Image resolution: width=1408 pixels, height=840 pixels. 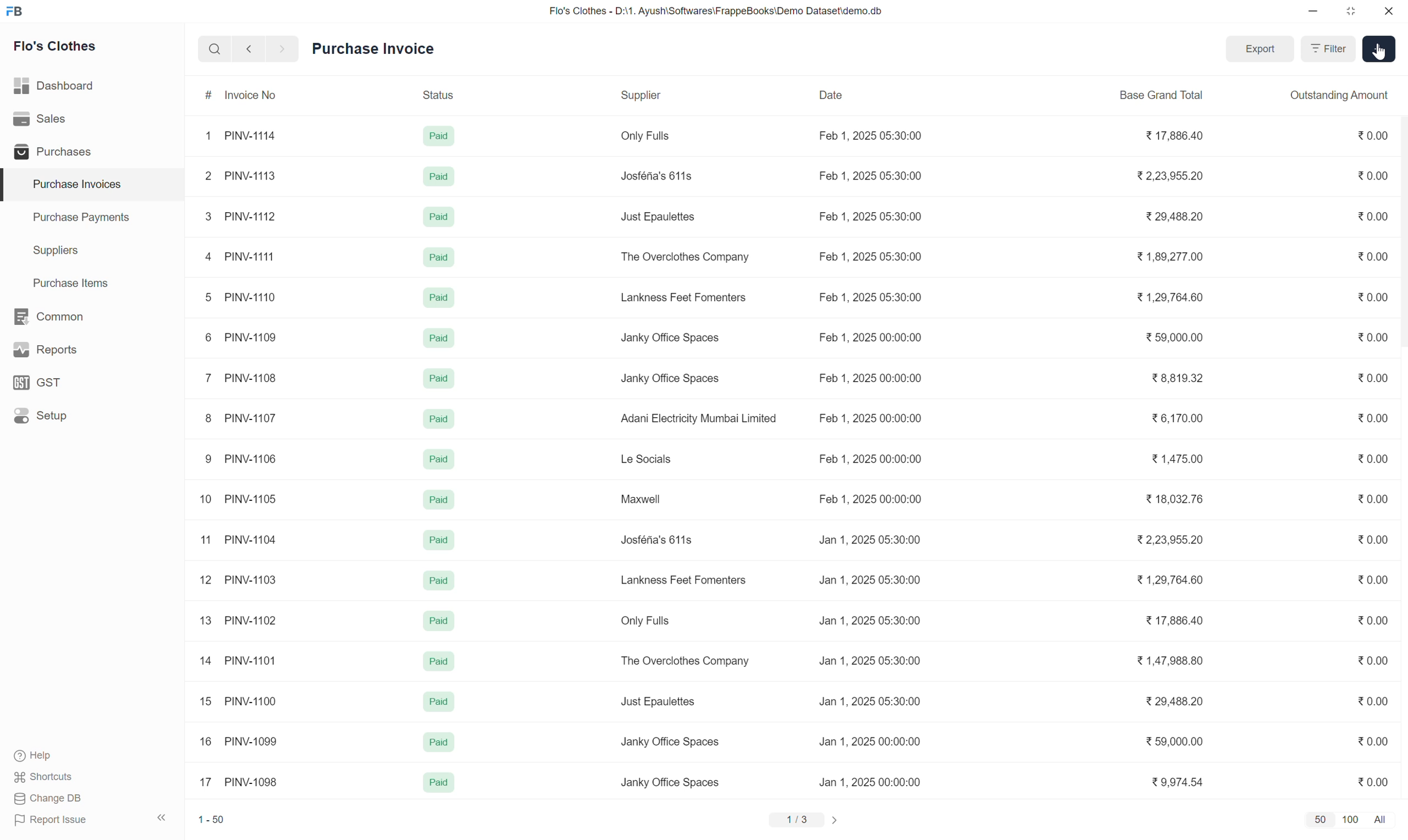 What do you see at coordinates (1321, 820) in the screenshot?
I see `50` at bounding box center [1321, 820].